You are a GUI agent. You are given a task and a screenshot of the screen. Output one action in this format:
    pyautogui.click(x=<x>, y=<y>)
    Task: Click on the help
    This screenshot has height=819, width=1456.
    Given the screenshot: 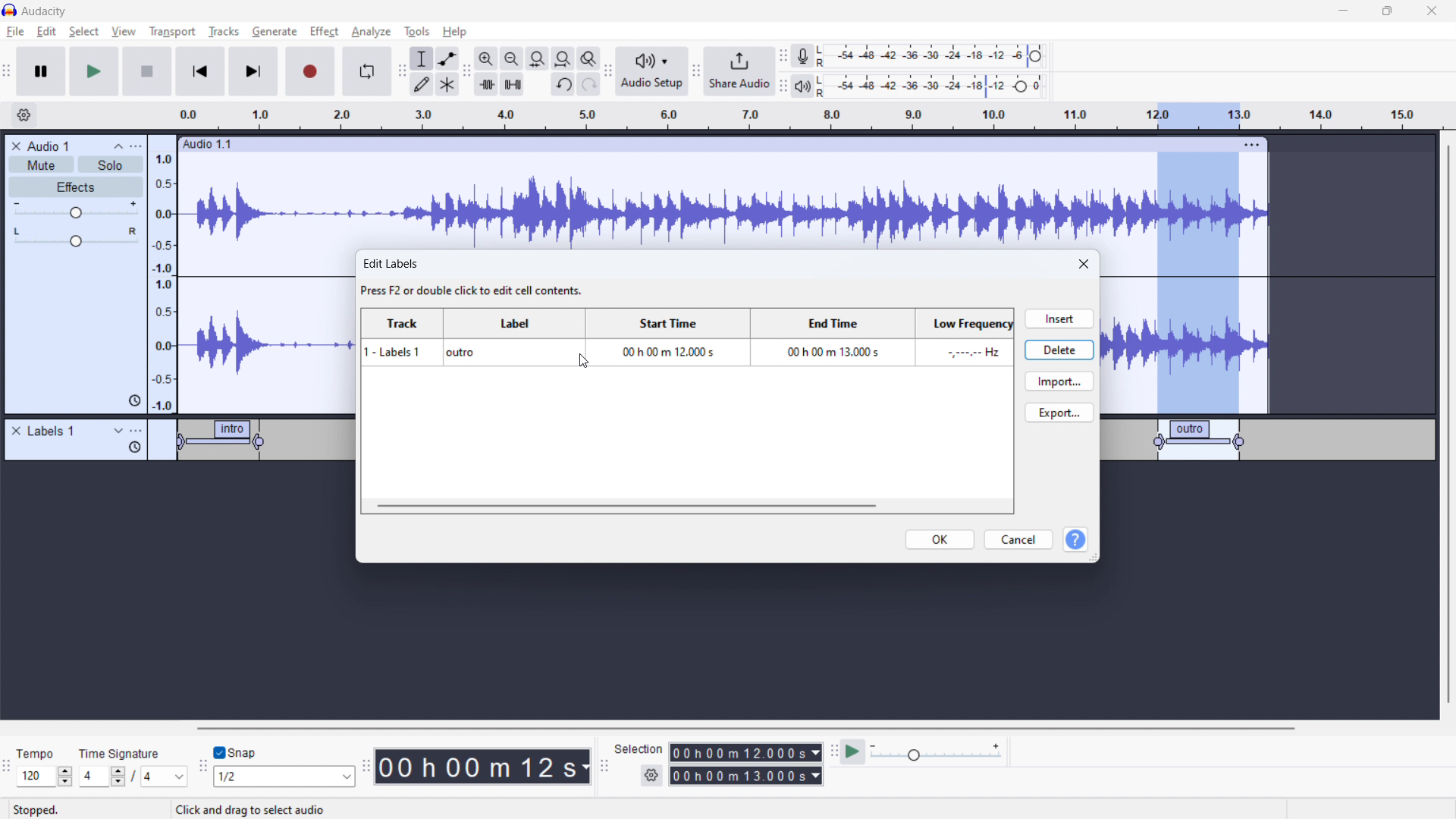 What is the action you would take?
    pyautogui.click(x=457, y=32)
    